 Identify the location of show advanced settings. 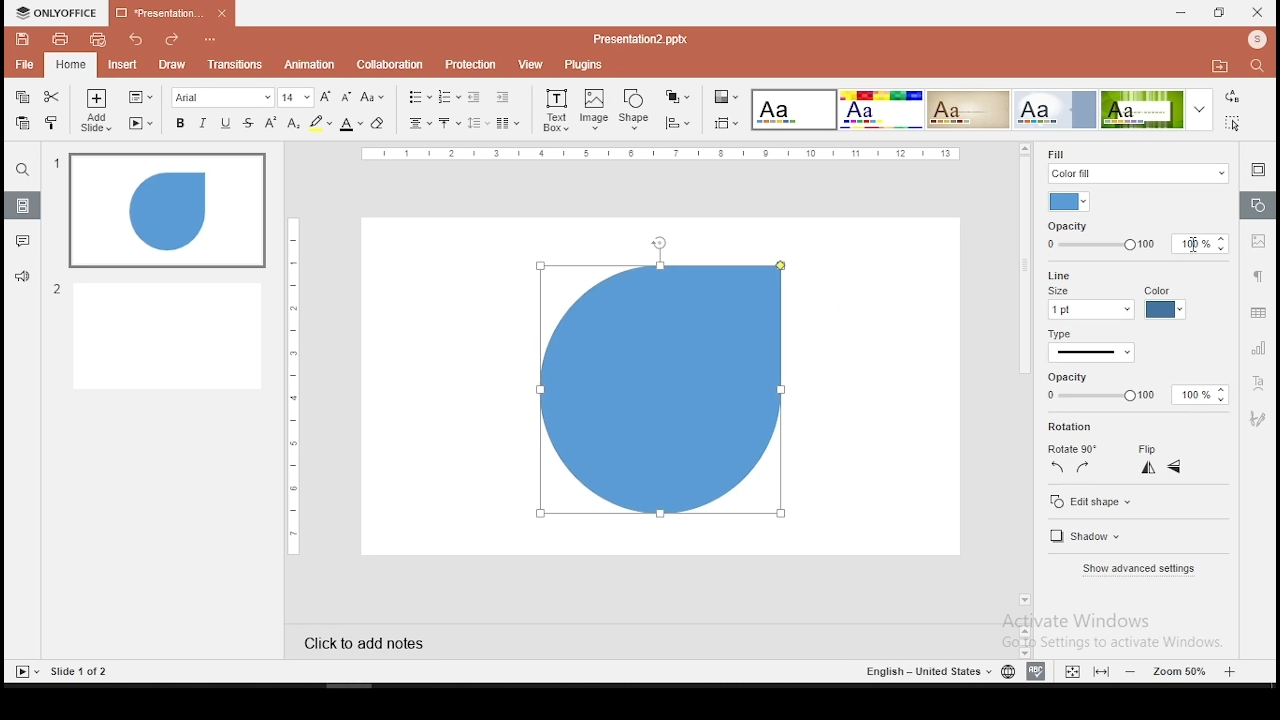
(1138, 569).